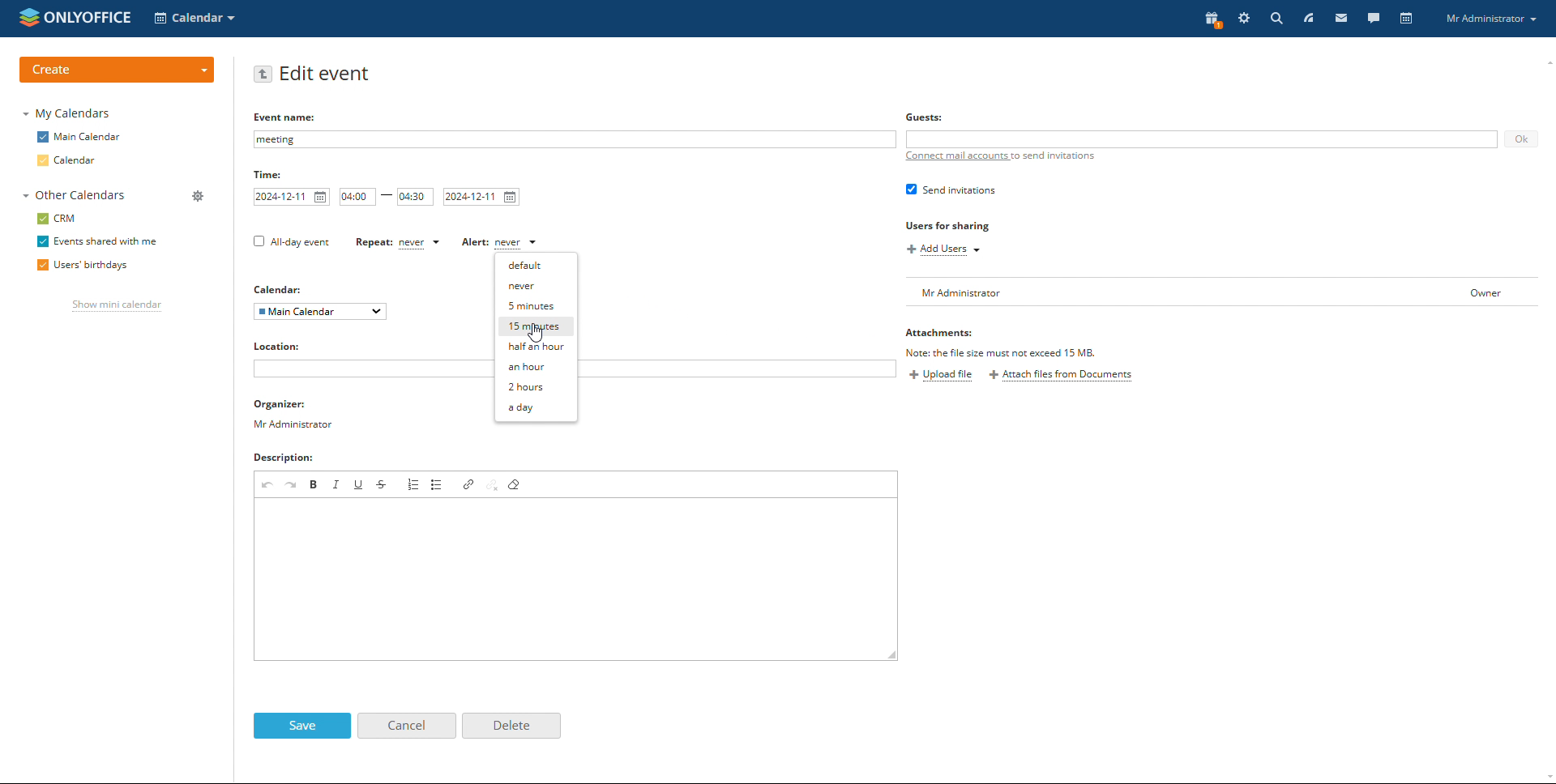  I want to click on other calendar, so click(73, 196).